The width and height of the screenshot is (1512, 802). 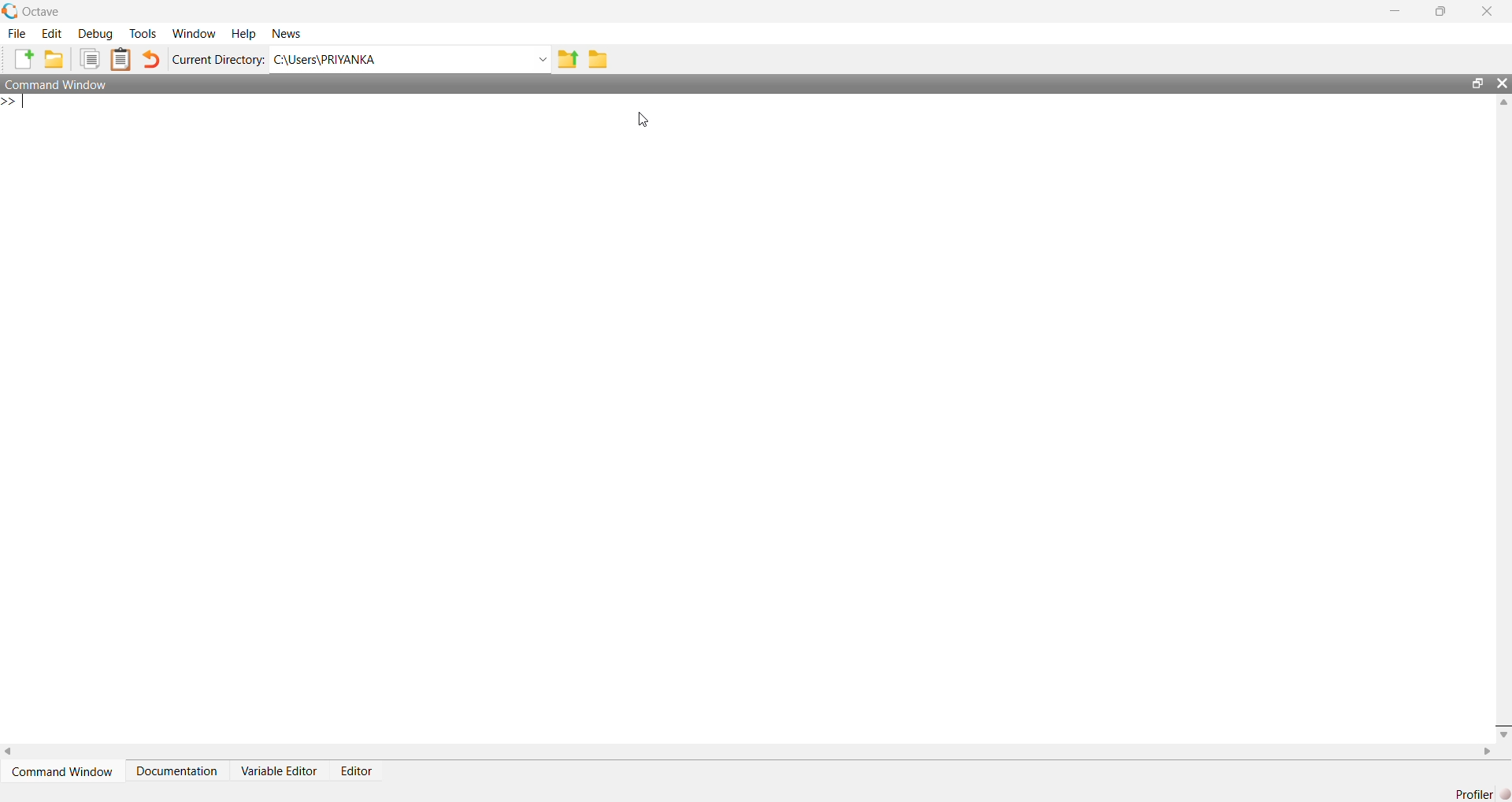 What do you see at coordinates (540, 58) in the screenshot?
I see `Enter directory name` at bounding box center [540, 58].